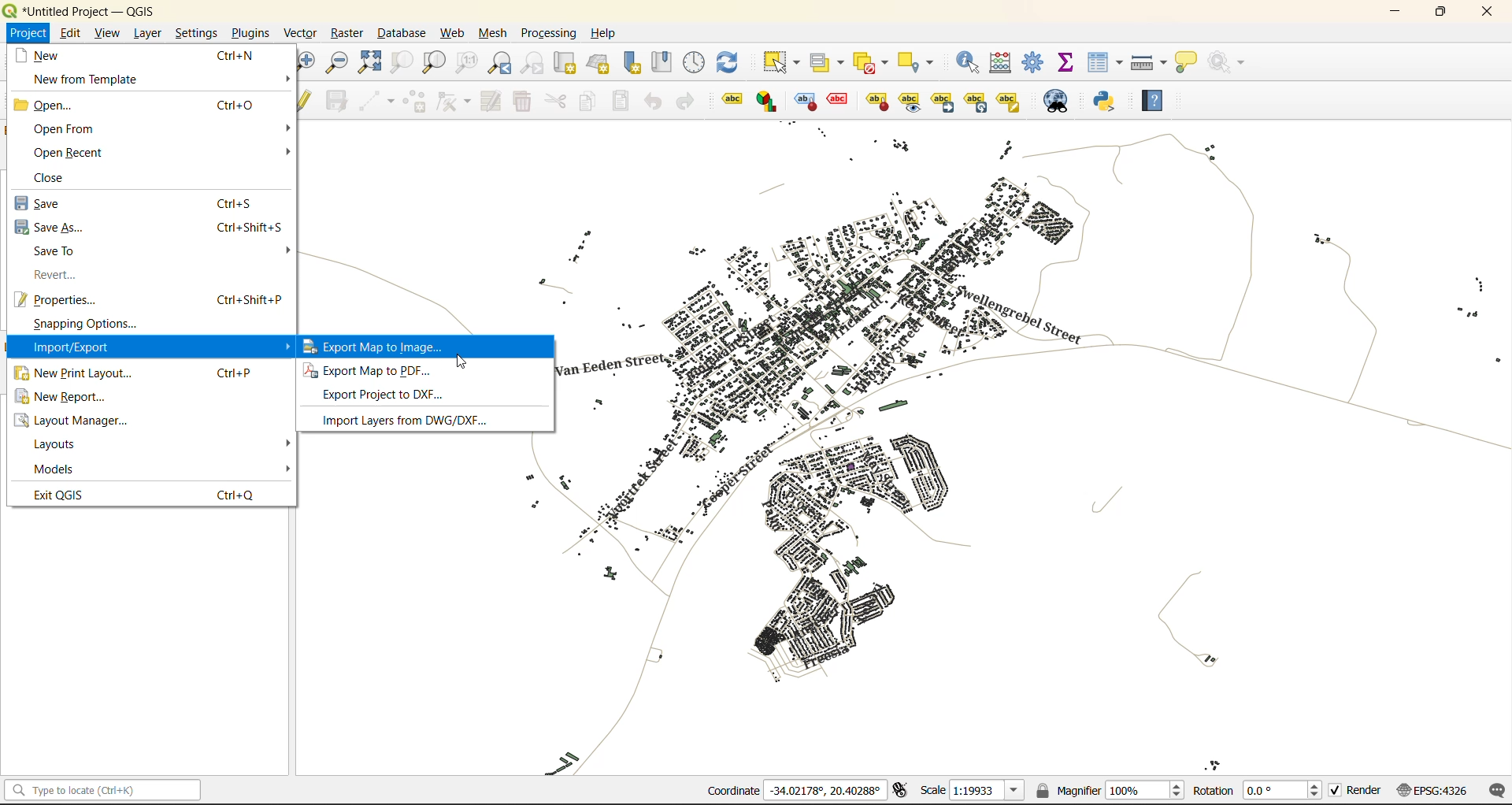 Image resolution: width=1512 pixels, height=805 pixels. What do you see at coordinates (619, 101) in the screenshot?
I see `paste` at bounding box center [619, 101].